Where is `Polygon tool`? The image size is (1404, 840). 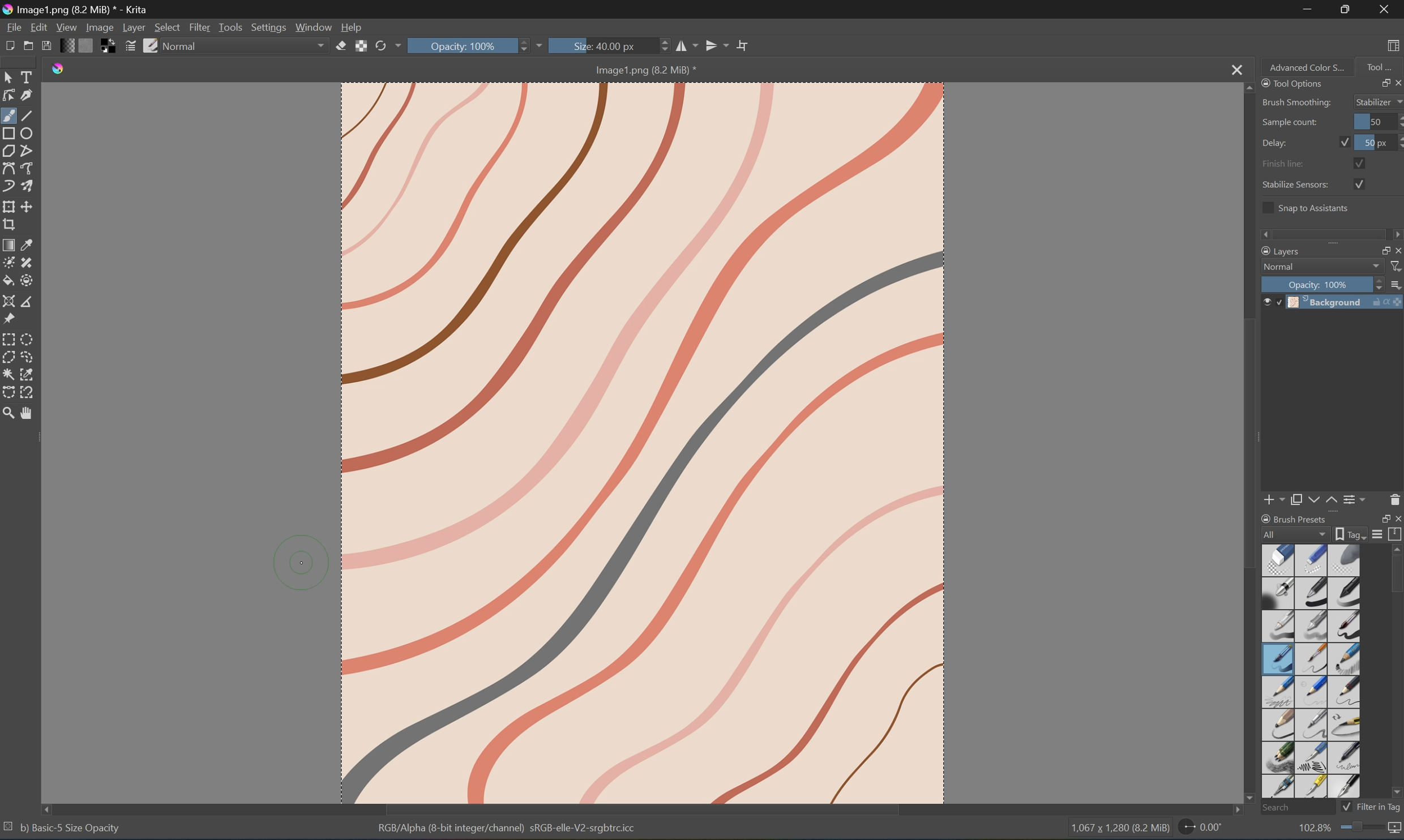 Polygon tool is located at coordinates (11, 151).